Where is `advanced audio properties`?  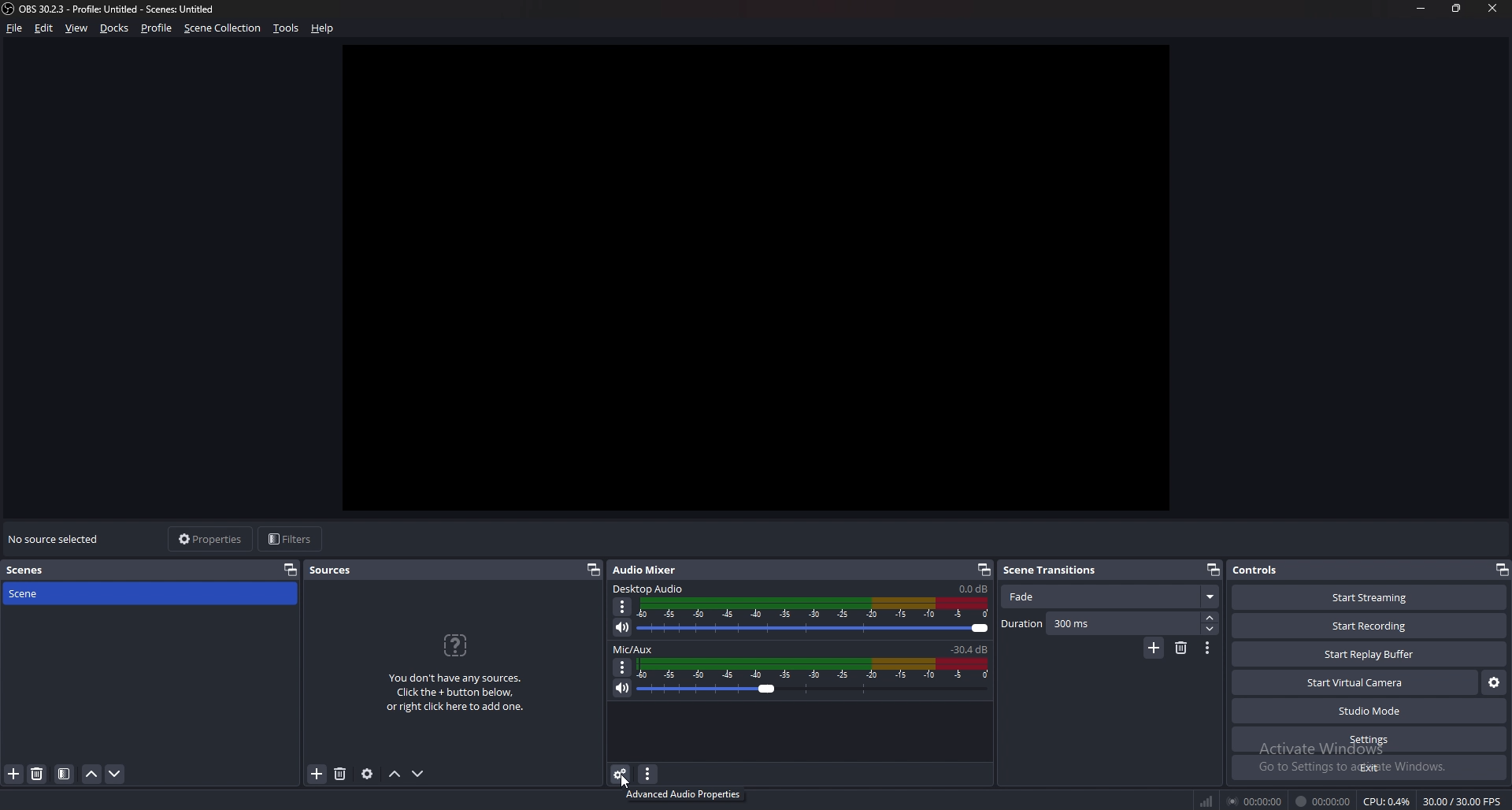 advanced audio properties is located at coordinates (621, 774).